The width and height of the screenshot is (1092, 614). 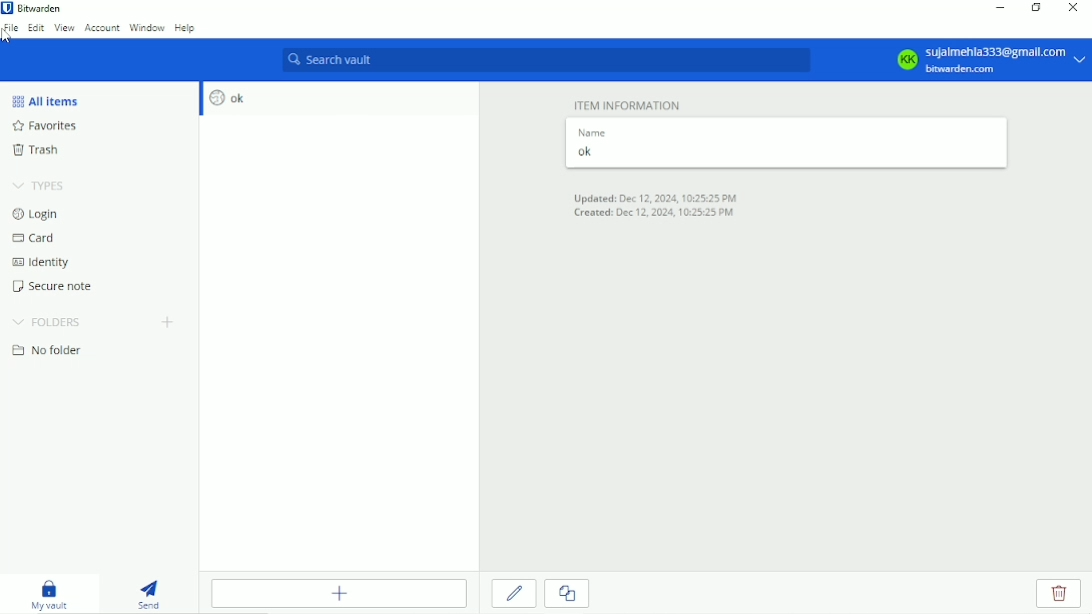 I want to click on Create folder, so click(x=169, y=324).